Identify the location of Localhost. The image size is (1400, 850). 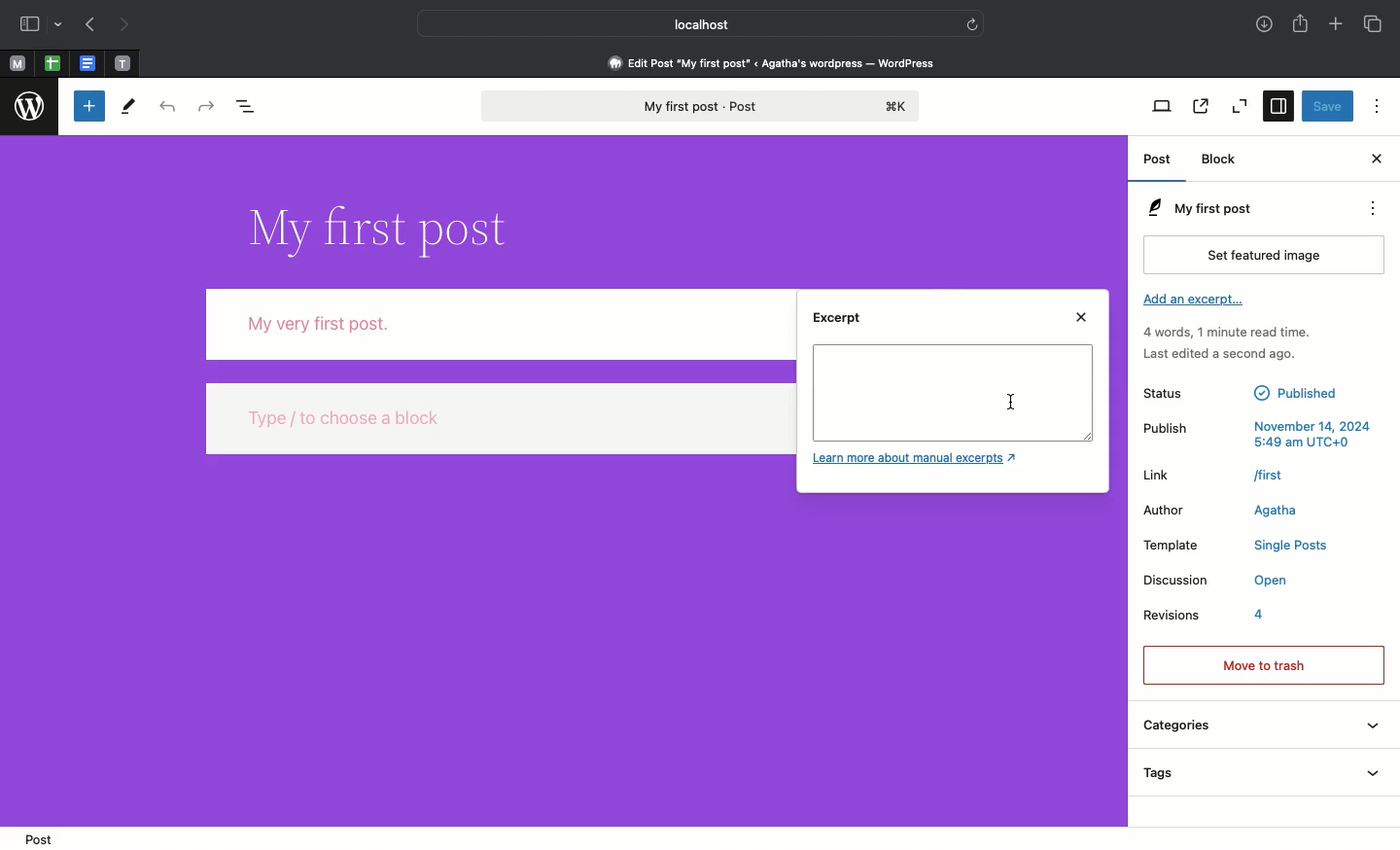
(687, 24).